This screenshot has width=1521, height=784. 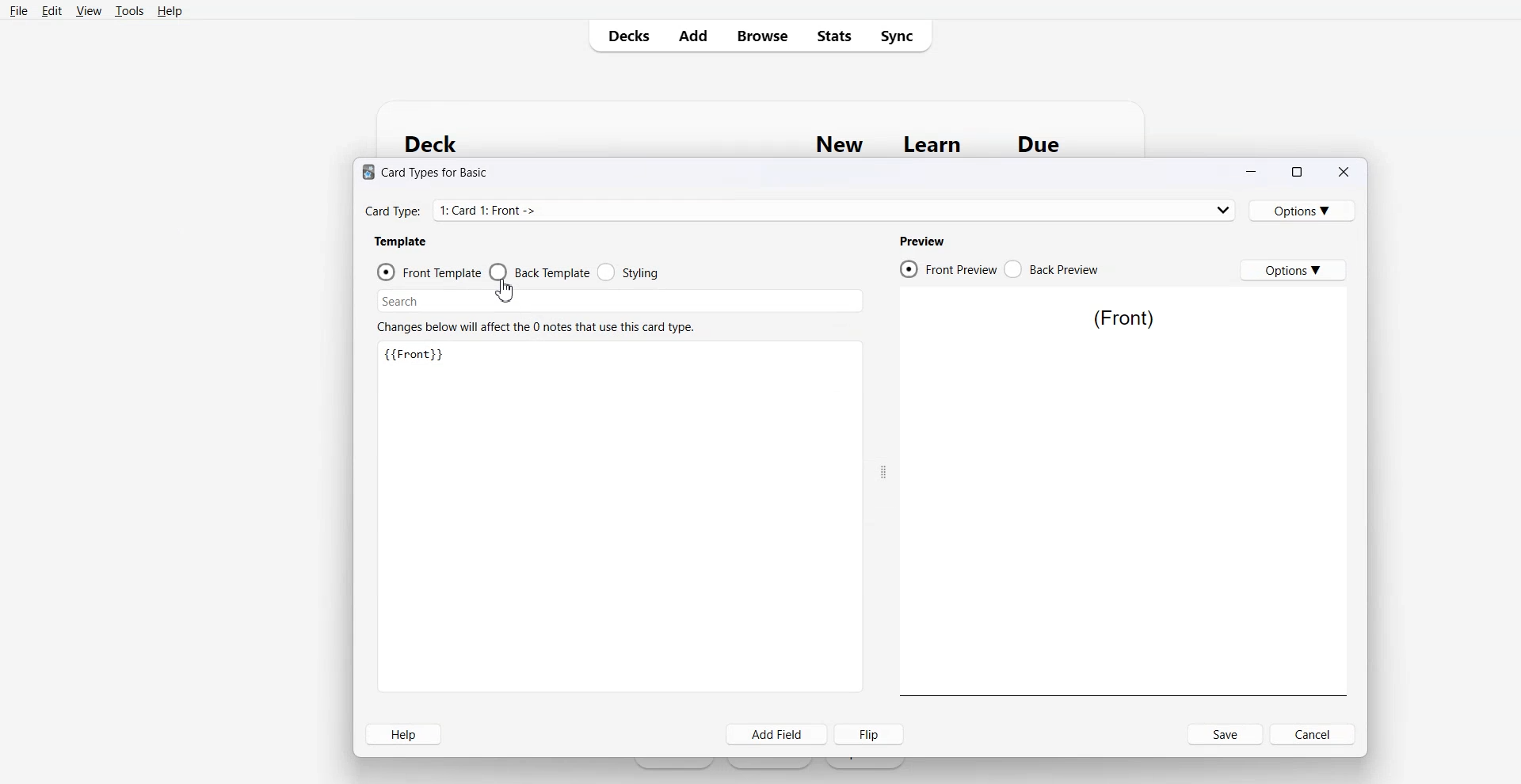 What do you see at coordinates (1123, 318) in the screenshot?
I see `(Front)` at bounding box center [1123, 318].